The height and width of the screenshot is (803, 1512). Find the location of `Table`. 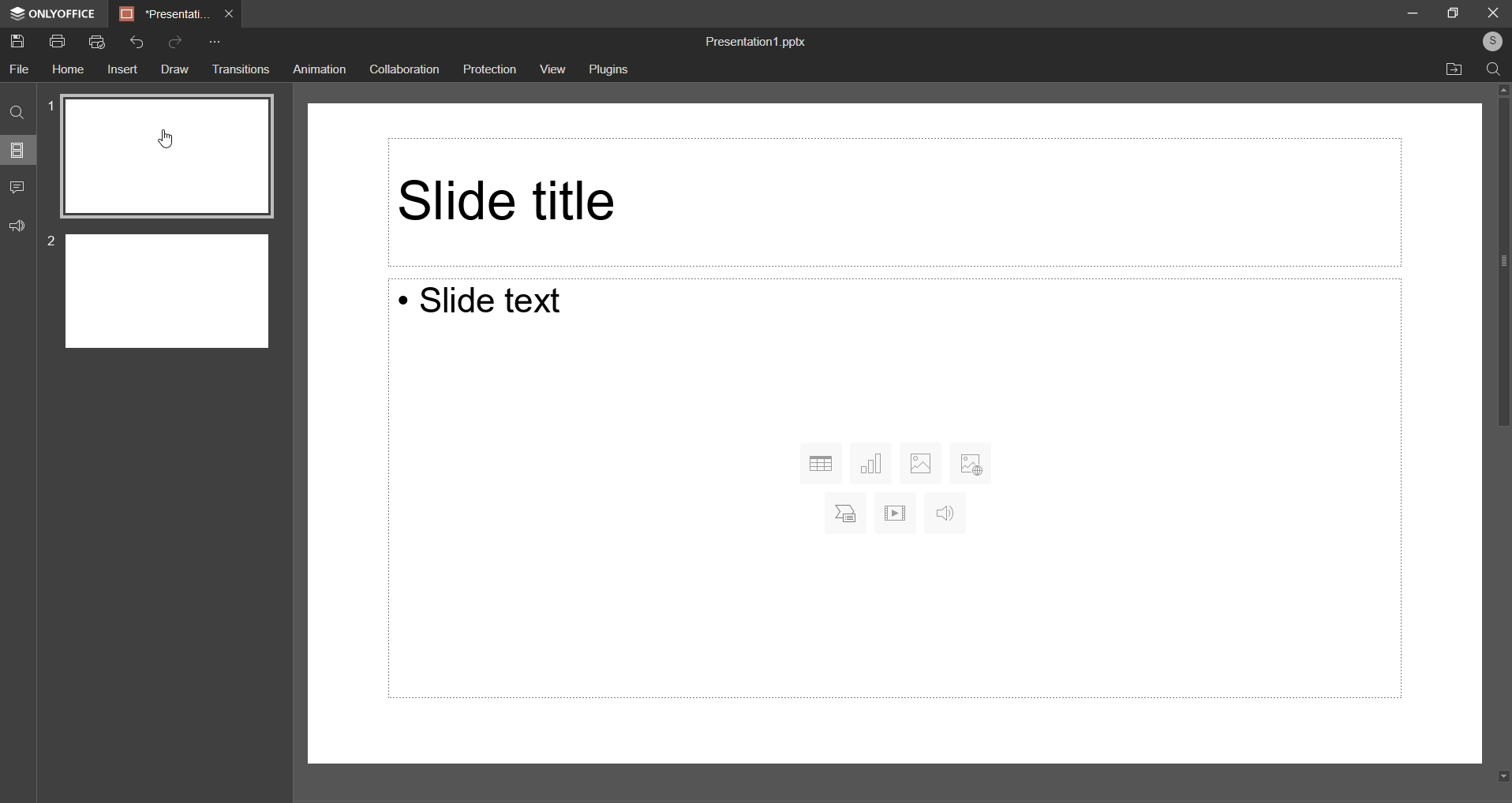

Table is located at coordinates (821, 464).